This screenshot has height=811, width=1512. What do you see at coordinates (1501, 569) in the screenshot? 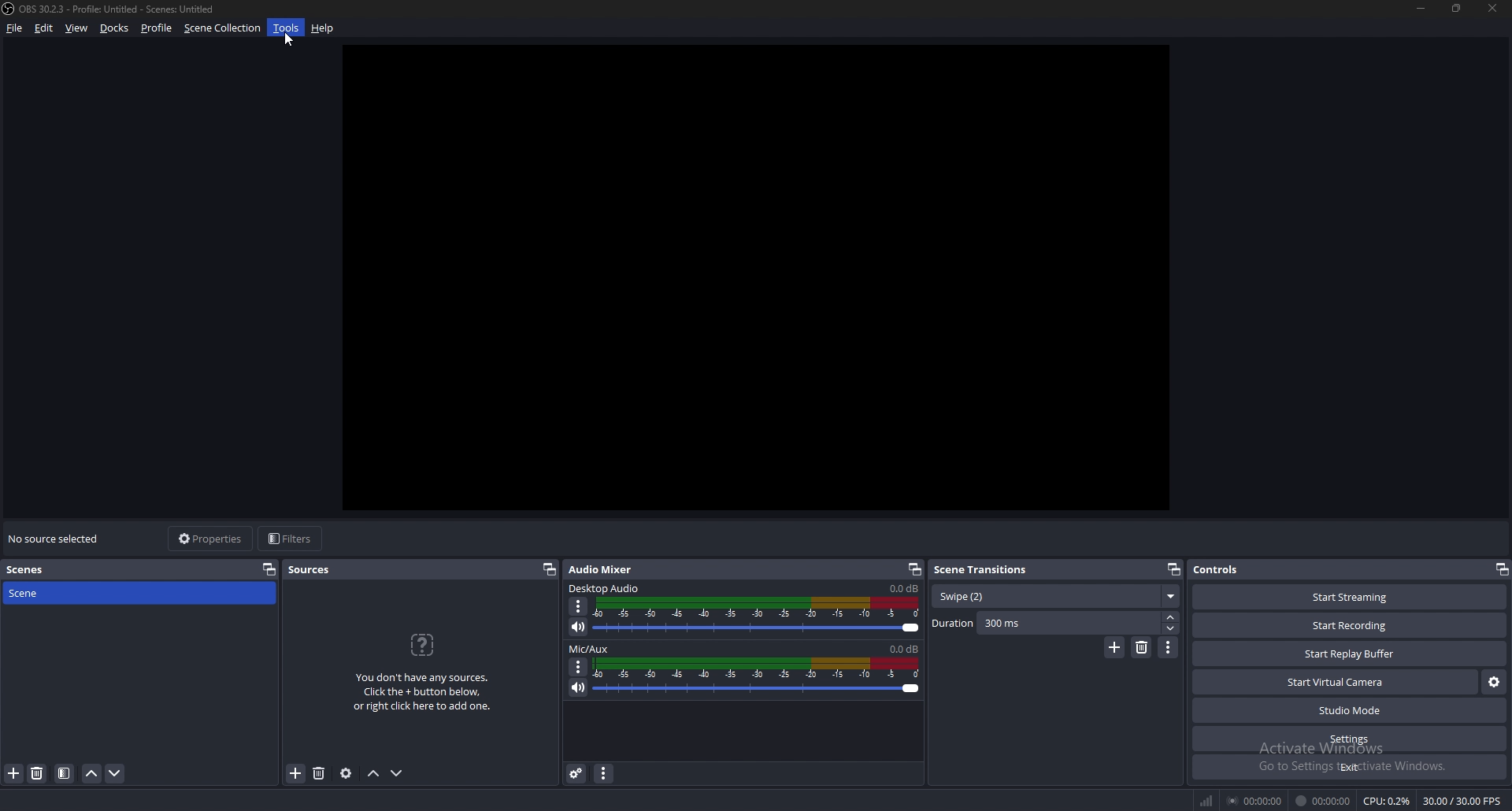
I see `pop out` at bounding box center [1501, 569].